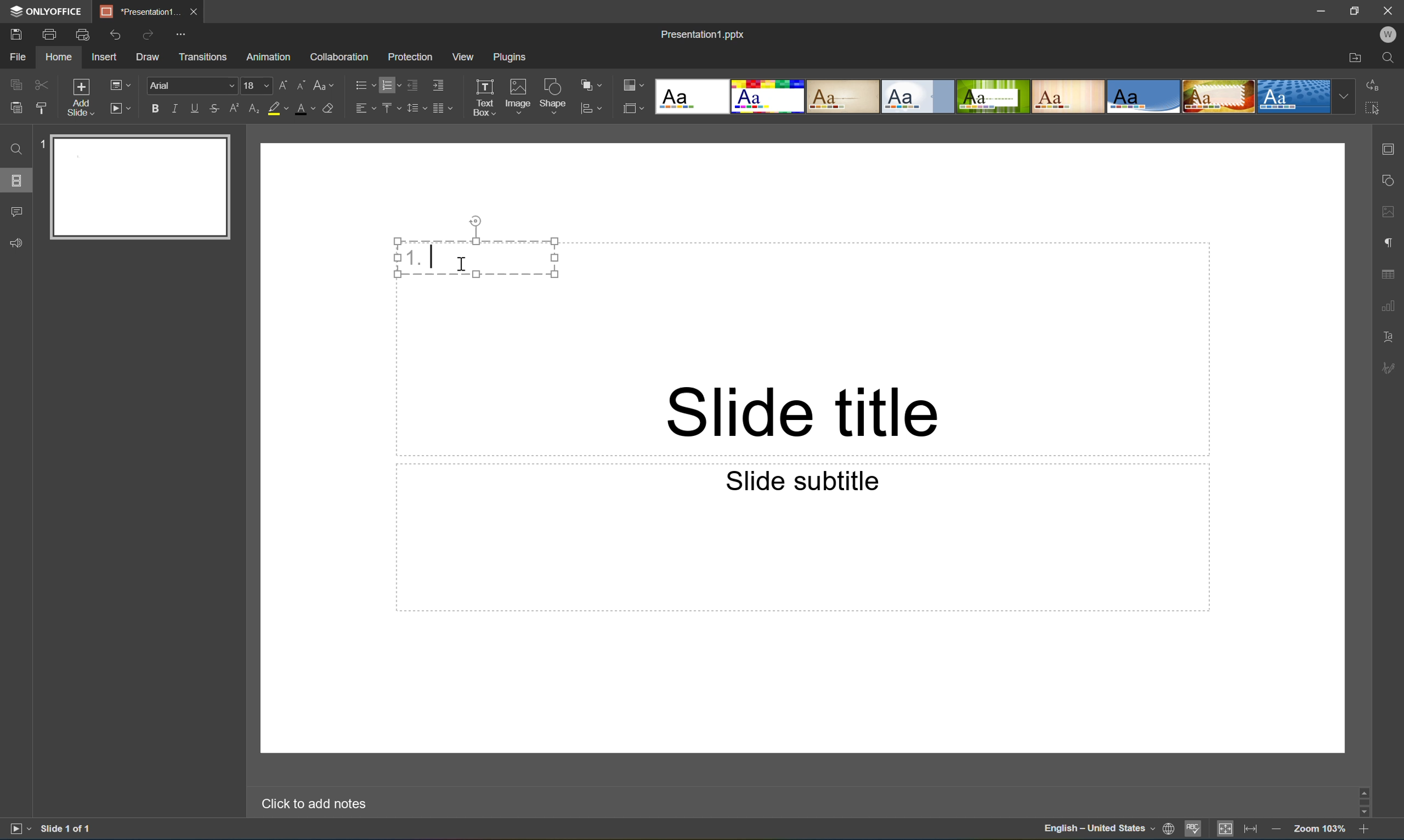 The width and height of the screenshot is (1404, 840). What do you see at coordinates (14, 181) in the screenshot?
I see `Slides` at bounding box center [14, 181].